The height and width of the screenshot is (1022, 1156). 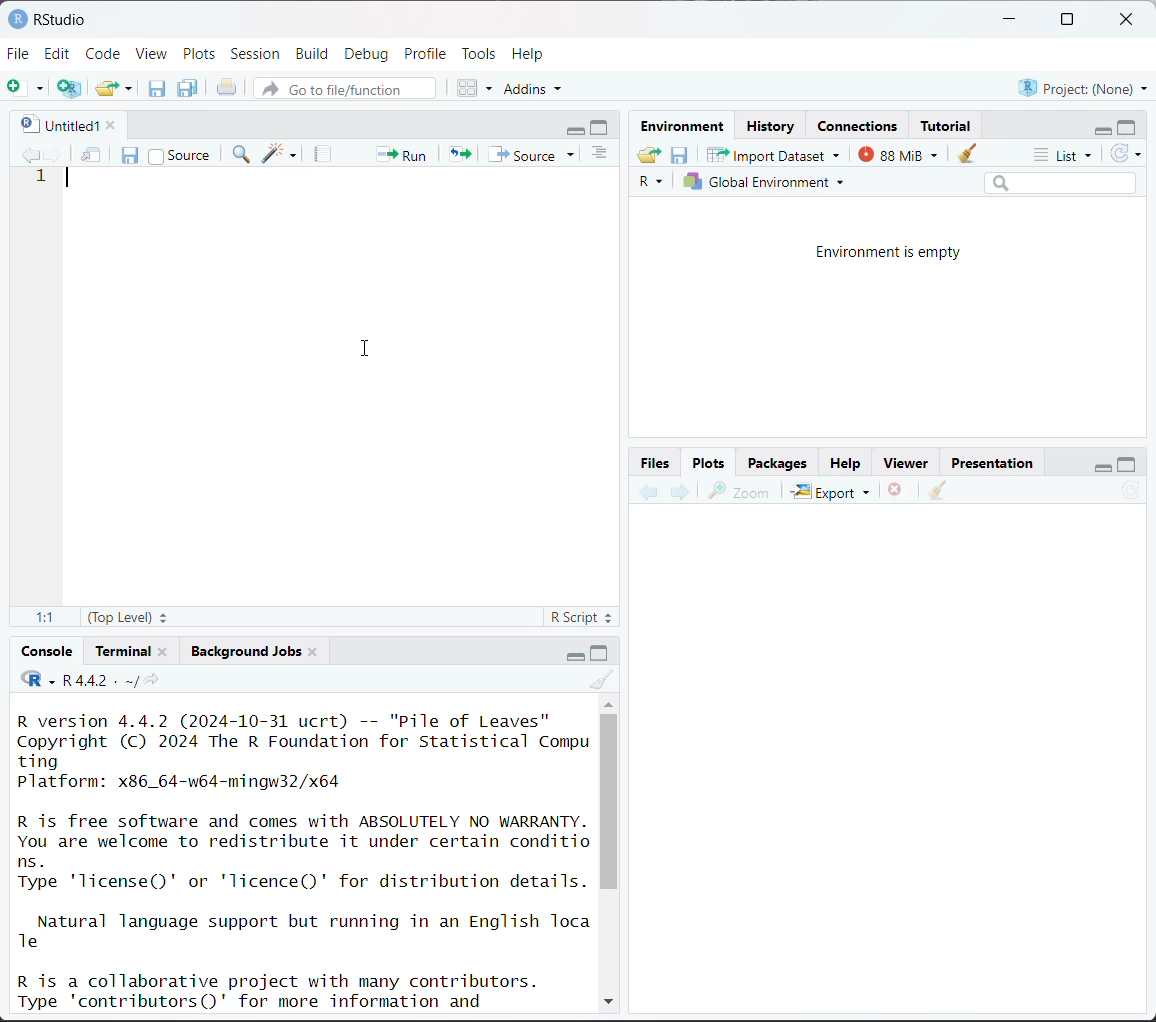 I want to click on Edit, so click(x=60, y=53).